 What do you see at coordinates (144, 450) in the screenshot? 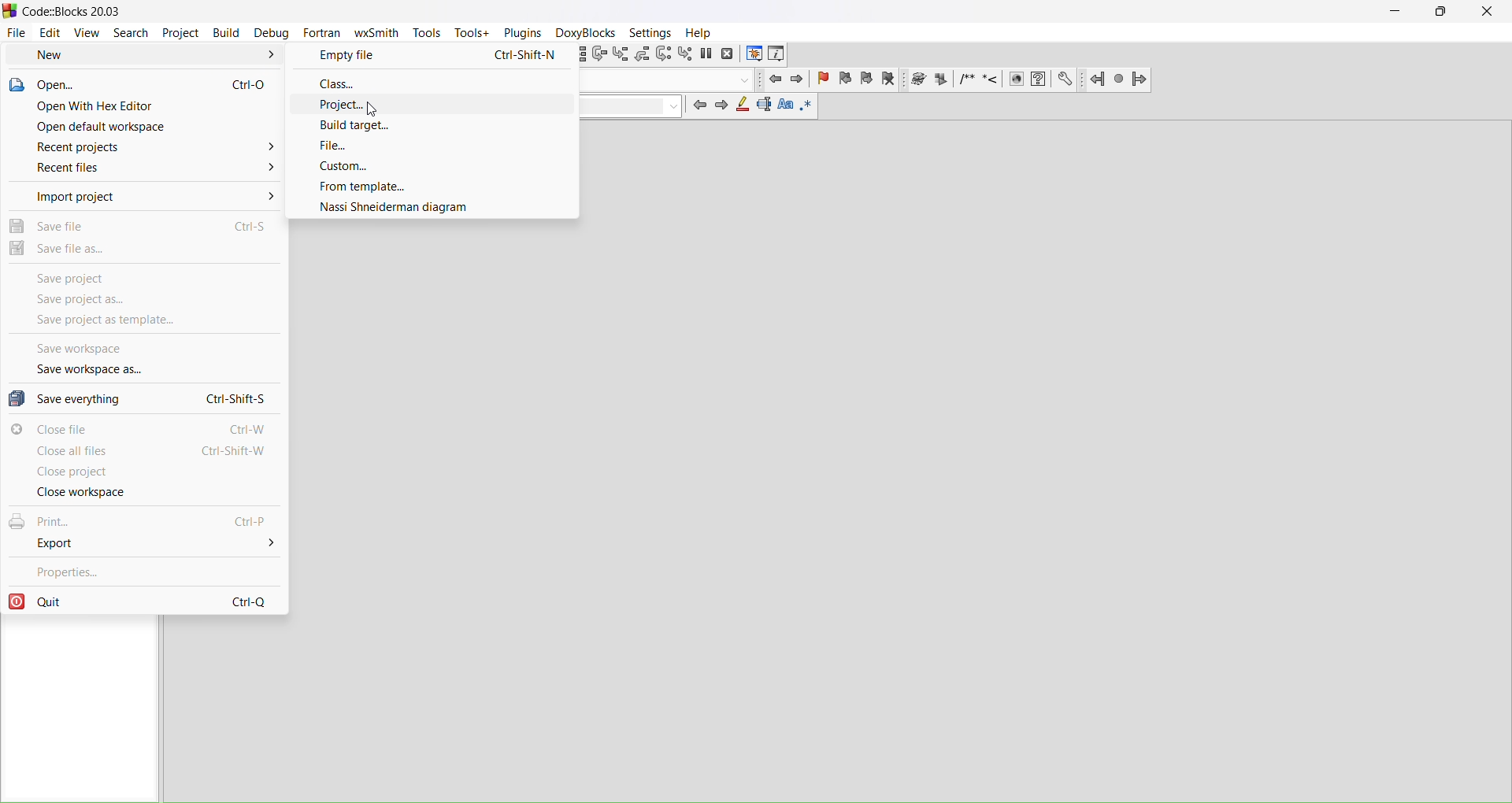
I see `close all files` at bounding box center [144, 450].